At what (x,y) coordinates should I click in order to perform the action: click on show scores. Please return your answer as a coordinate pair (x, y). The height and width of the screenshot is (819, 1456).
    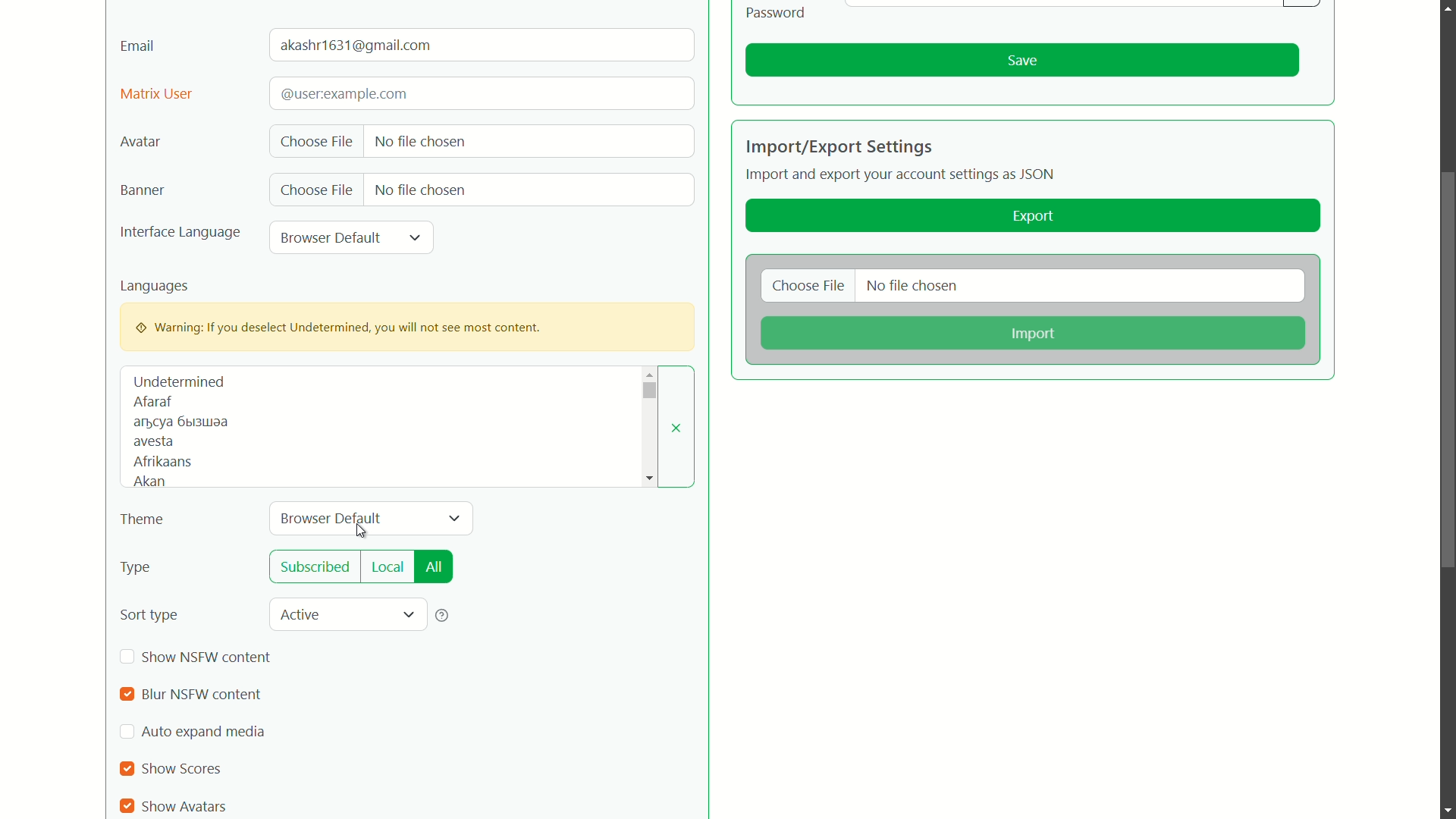
    Looking at the image, I should click on (184, 769).